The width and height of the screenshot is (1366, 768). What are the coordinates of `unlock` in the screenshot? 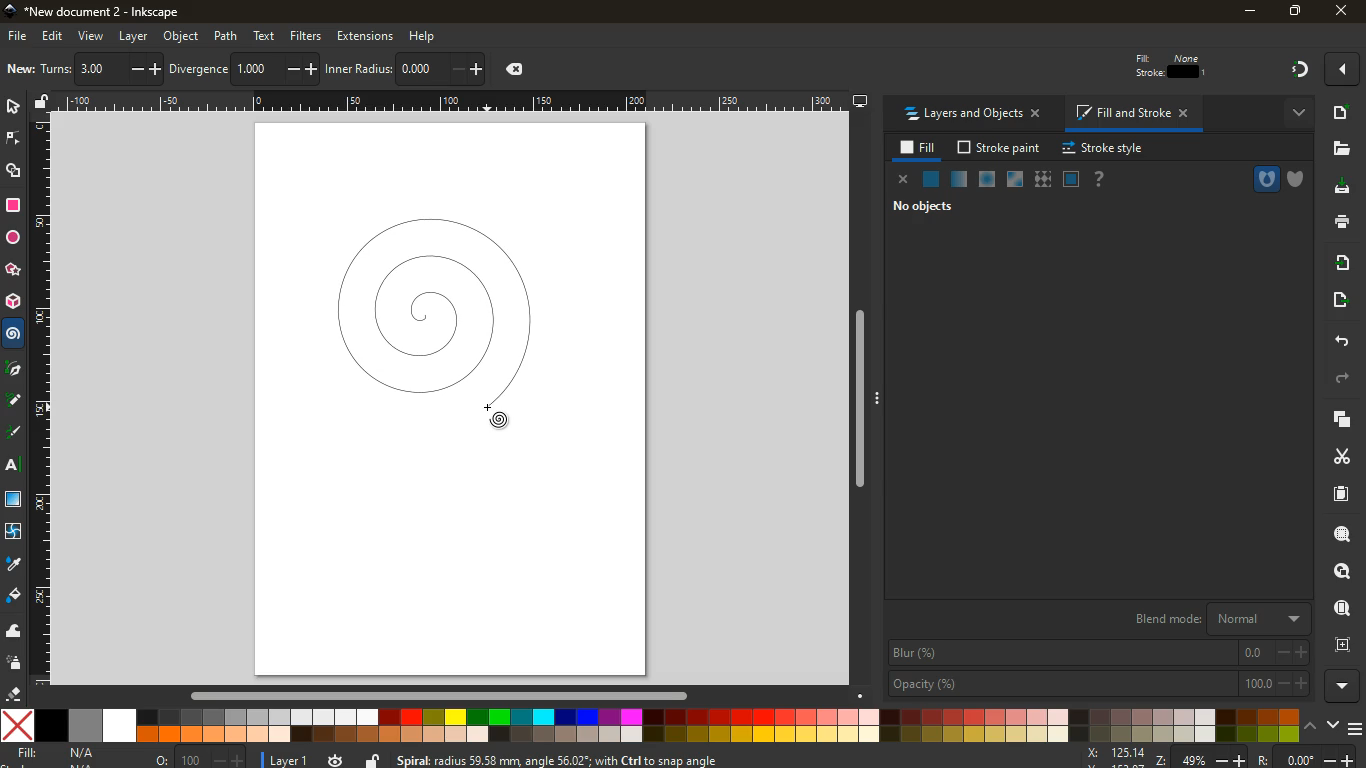 It's located at (372, 760).